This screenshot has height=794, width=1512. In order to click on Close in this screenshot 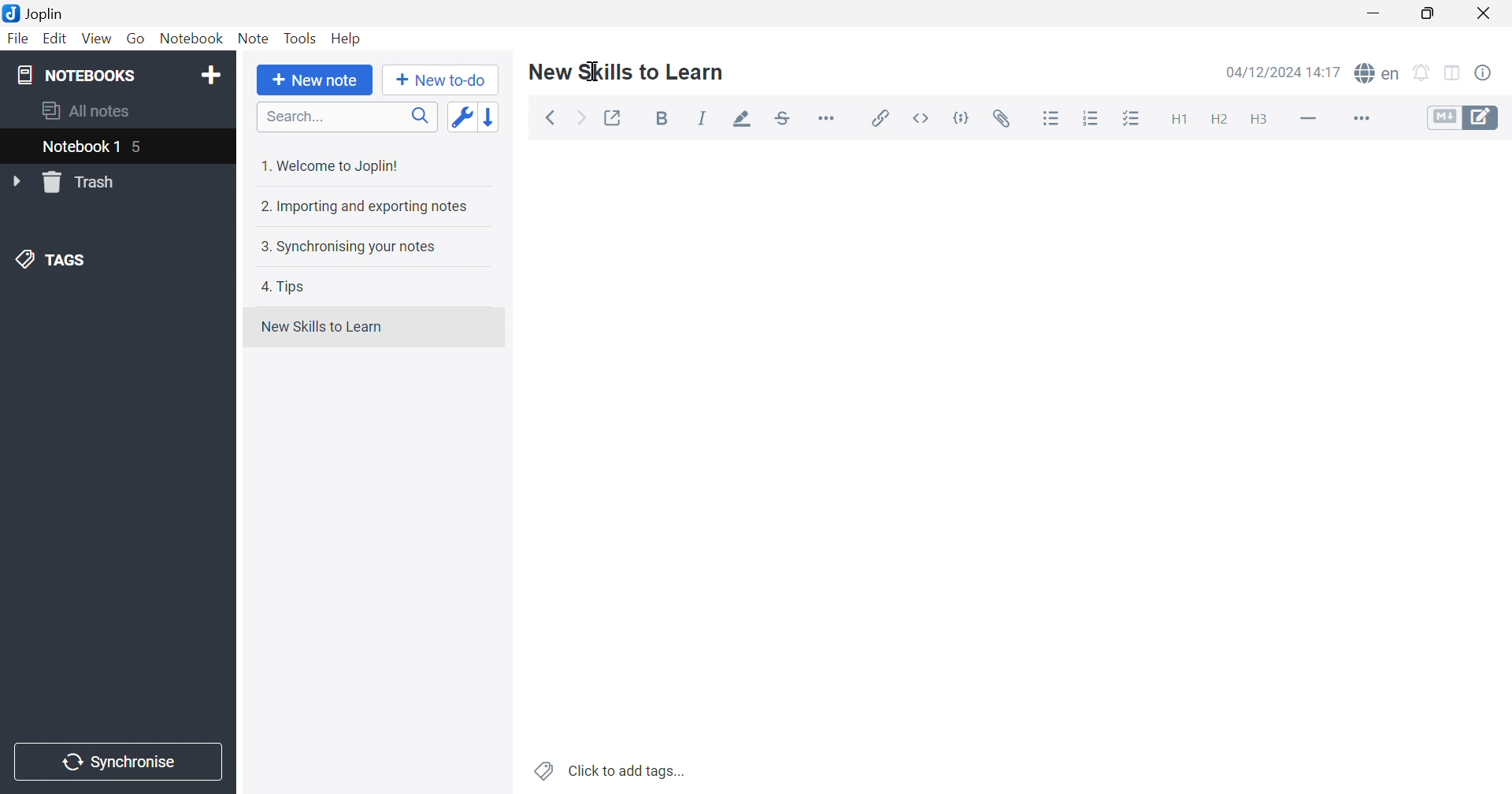, I will do `click(1484, 14)`.